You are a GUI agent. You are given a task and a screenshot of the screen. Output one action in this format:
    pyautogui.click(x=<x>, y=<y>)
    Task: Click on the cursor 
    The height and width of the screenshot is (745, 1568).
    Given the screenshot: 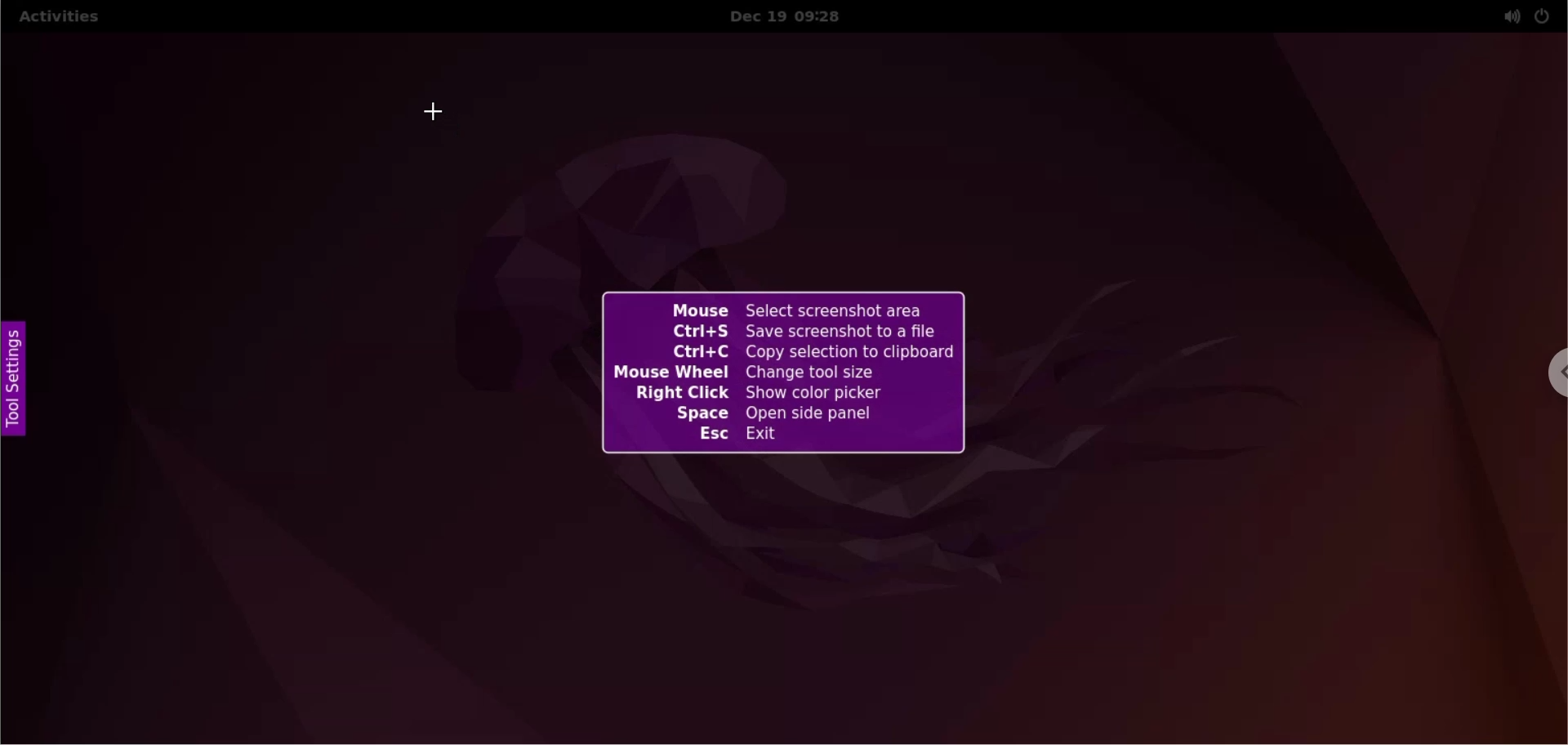 What is the action you would take?
    pyautogui.click(x=434, y=112)
    